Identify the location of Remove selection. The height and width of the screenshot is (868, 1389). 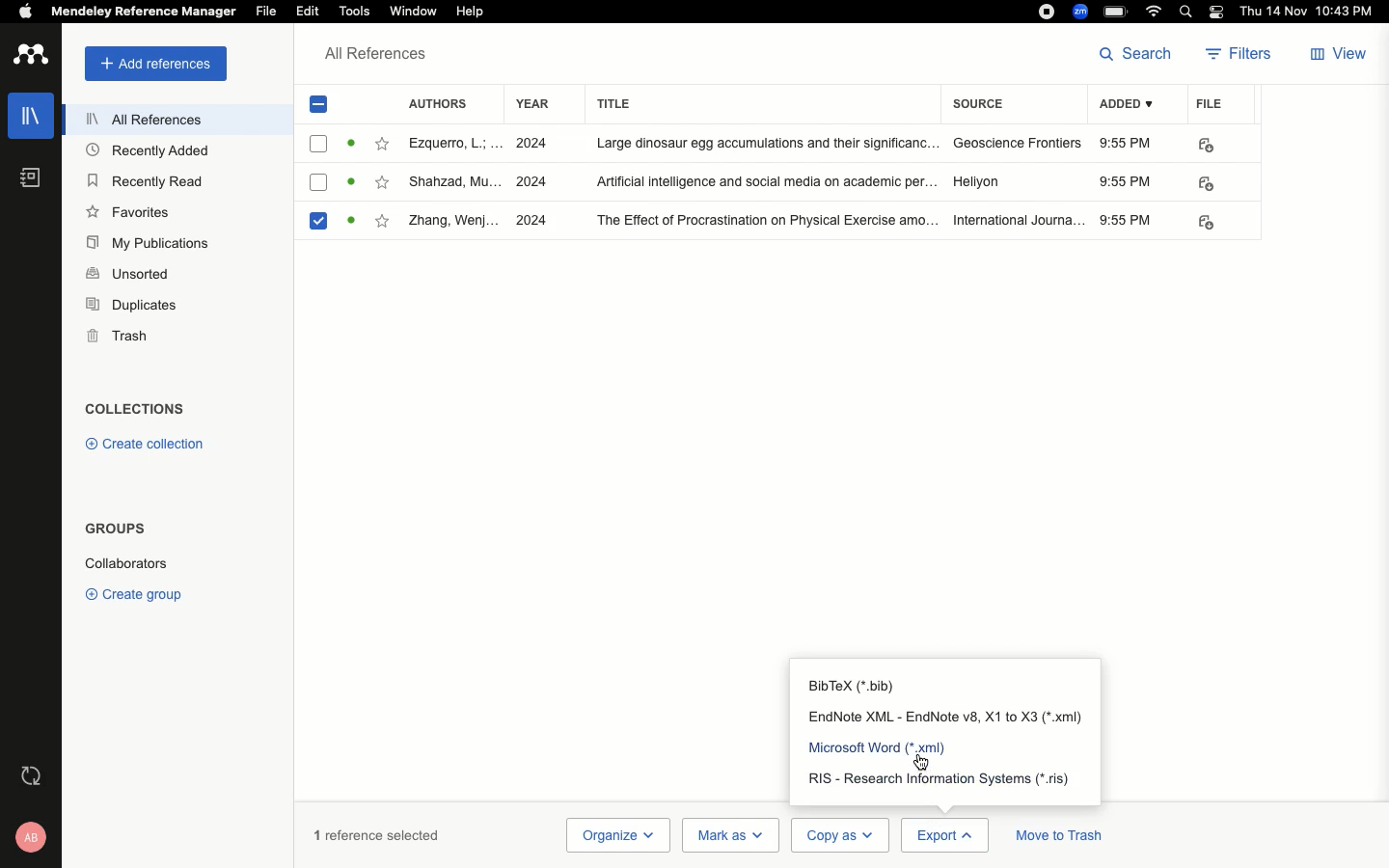
(321, 108).